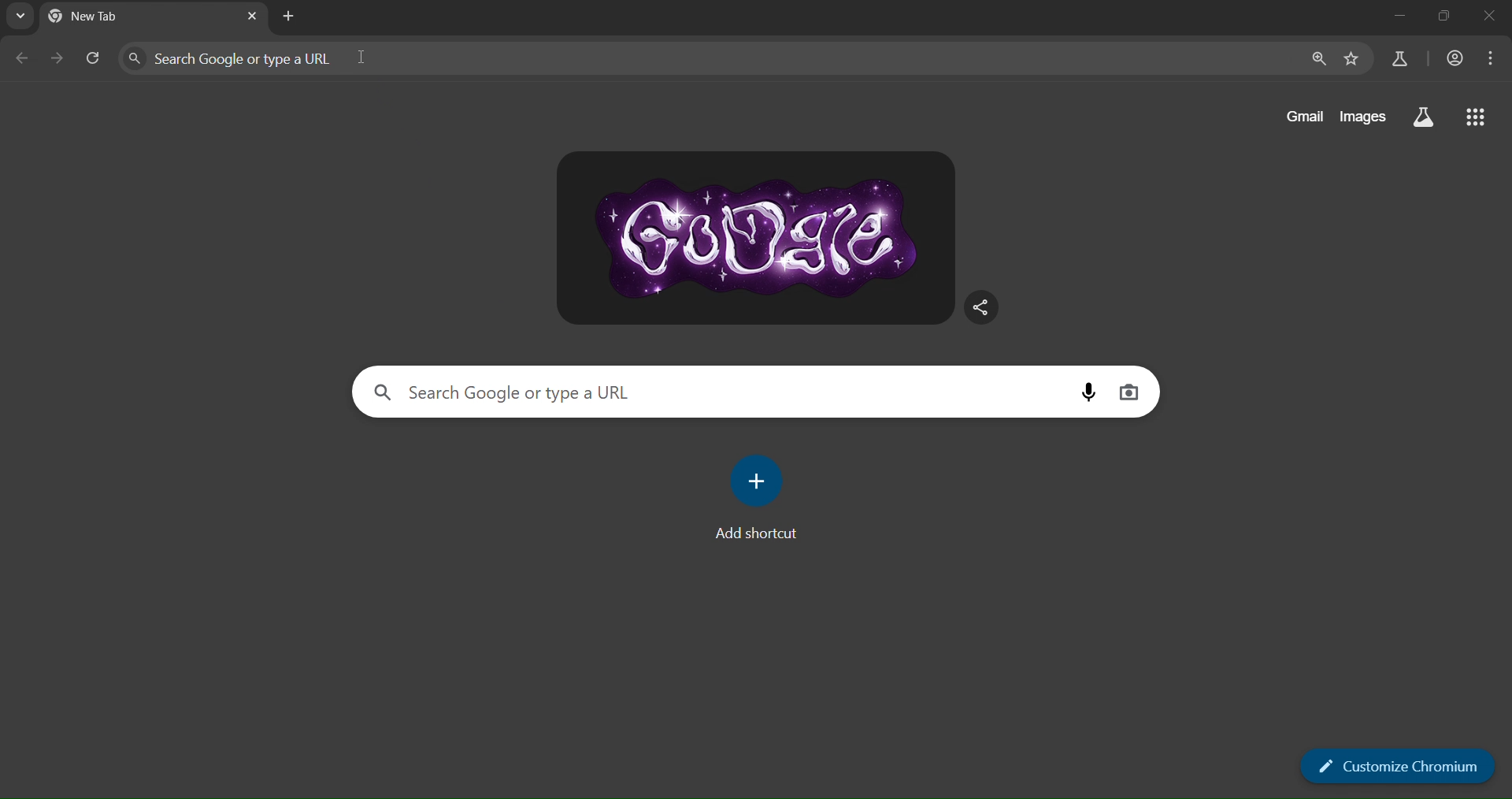  I want to click on google apps, so click(1471, 117).